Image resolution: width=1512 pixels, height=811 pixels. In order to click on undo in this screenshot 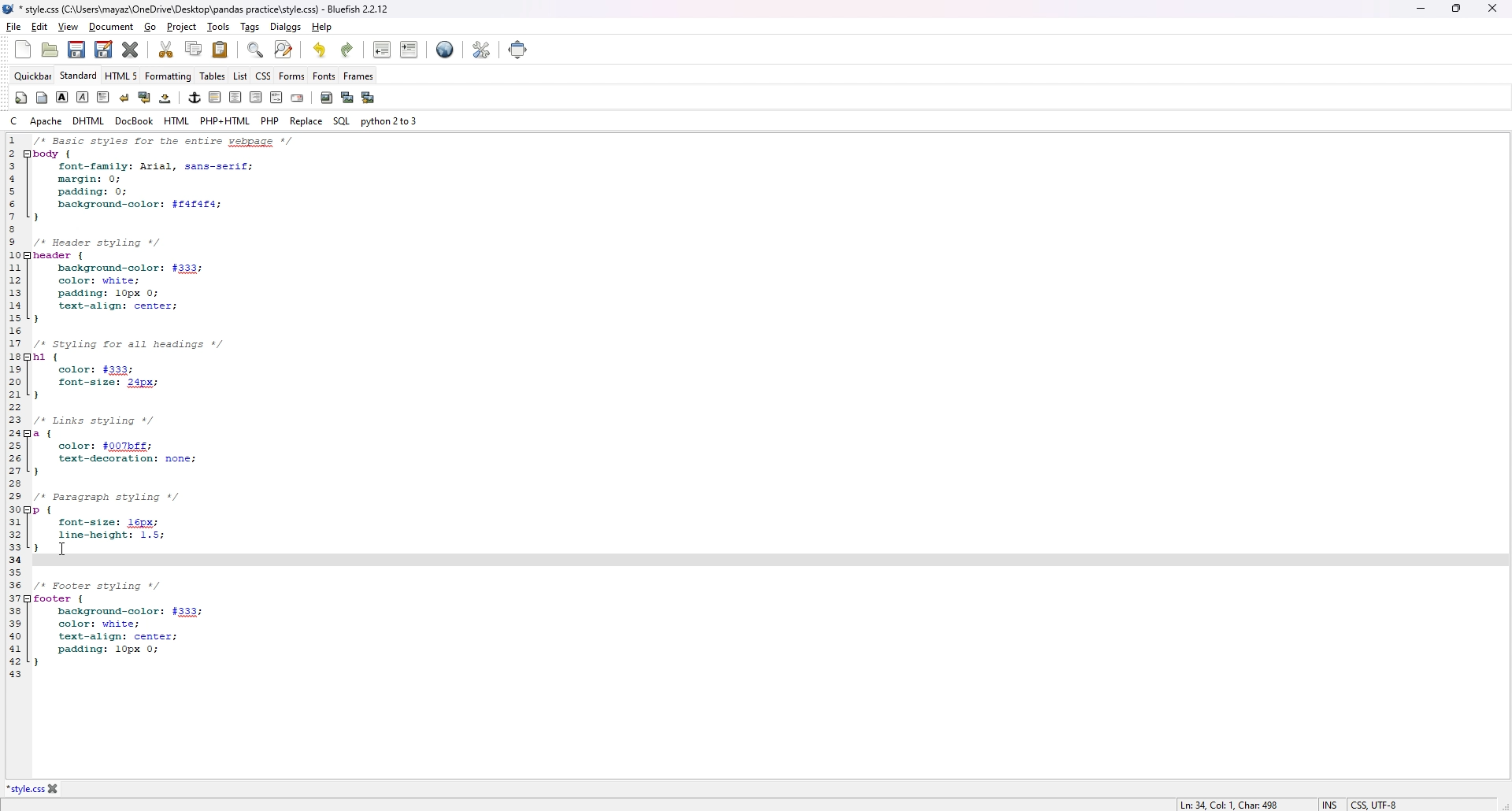, I will do `click(321, 50)`.